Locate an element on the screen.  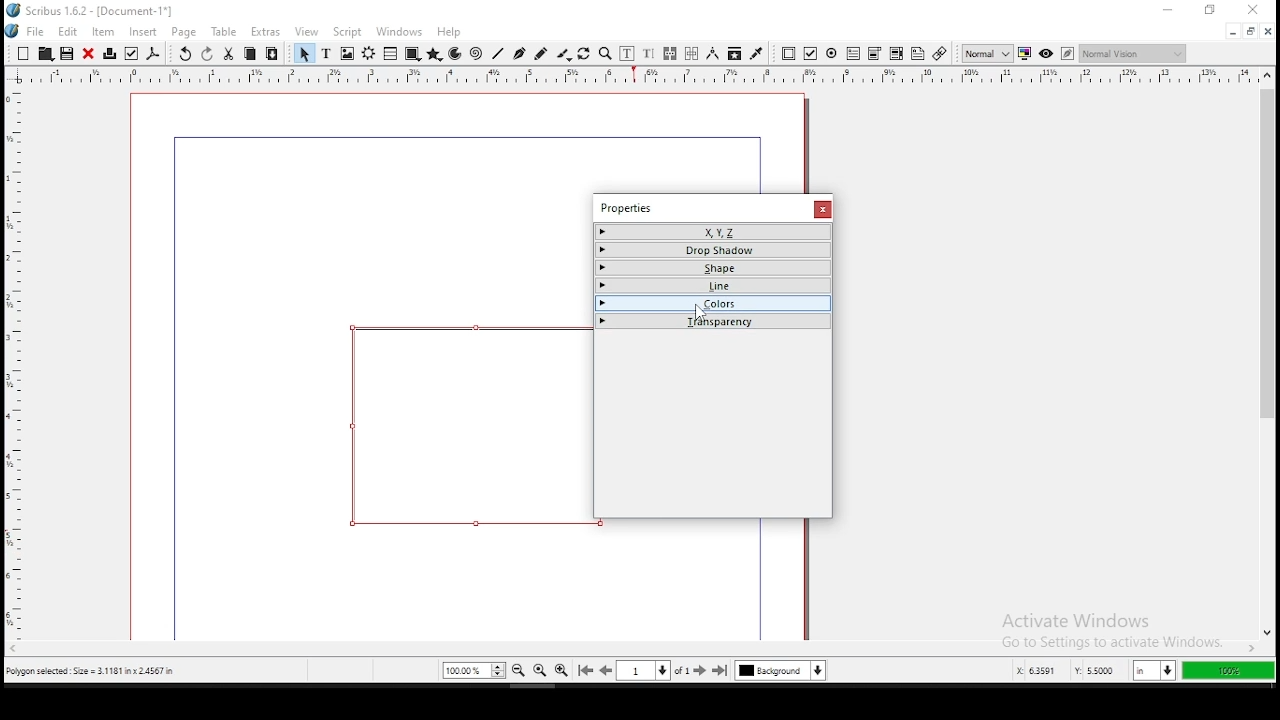
eyedropper is located at coordinates (757, 55).